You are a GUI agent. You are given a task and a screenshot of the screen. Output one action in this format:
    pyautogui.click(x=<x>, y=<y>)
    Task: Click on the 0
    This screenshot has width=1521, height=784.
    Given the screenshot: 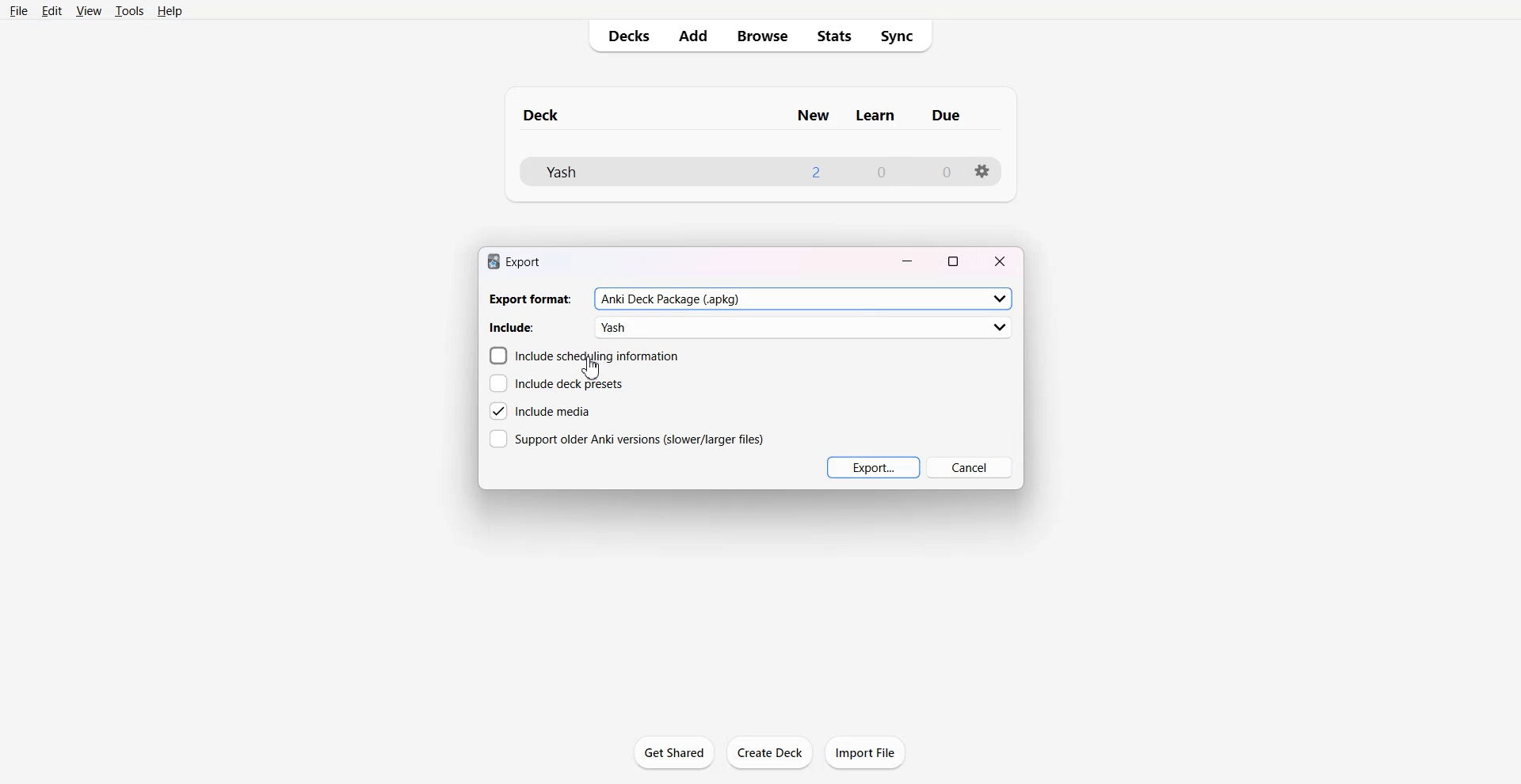 What is the action you would take?
    pyautogui.click(x=882, y=173)
    